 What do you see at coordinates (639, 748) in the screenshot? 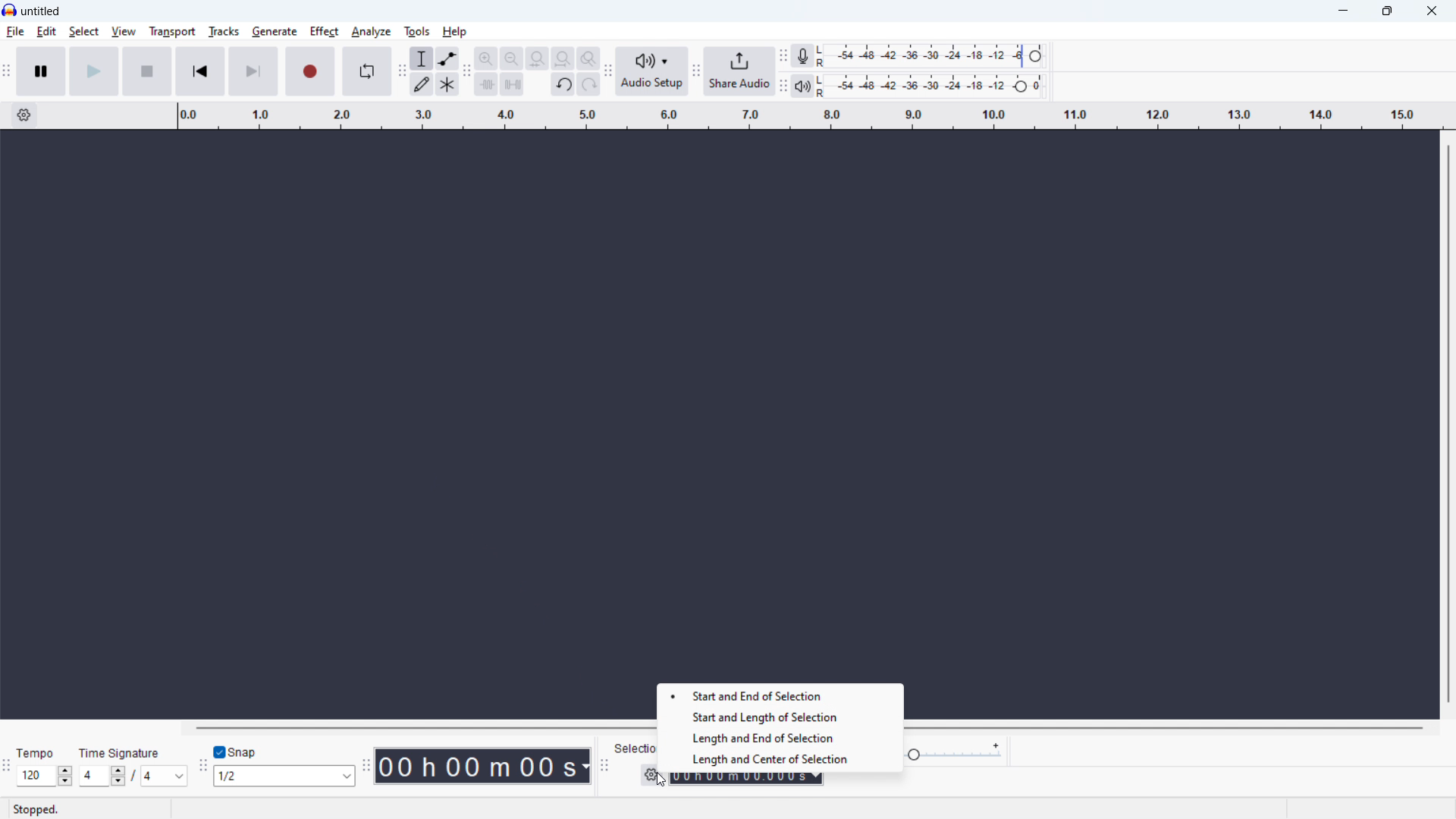
I see `selection` at bounding box center [639, 748].